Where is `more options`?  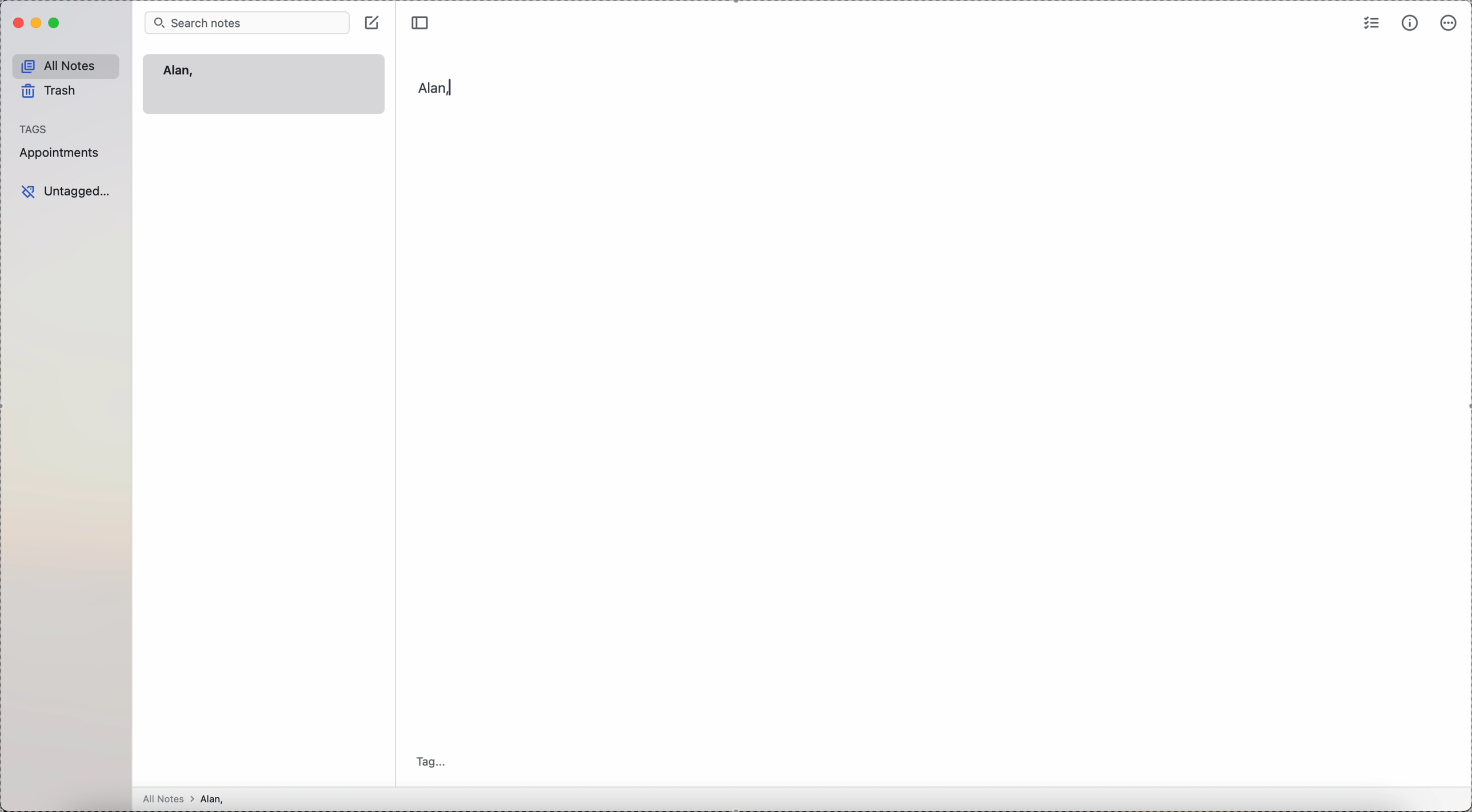 more options is located at coordinates (1449, 23).